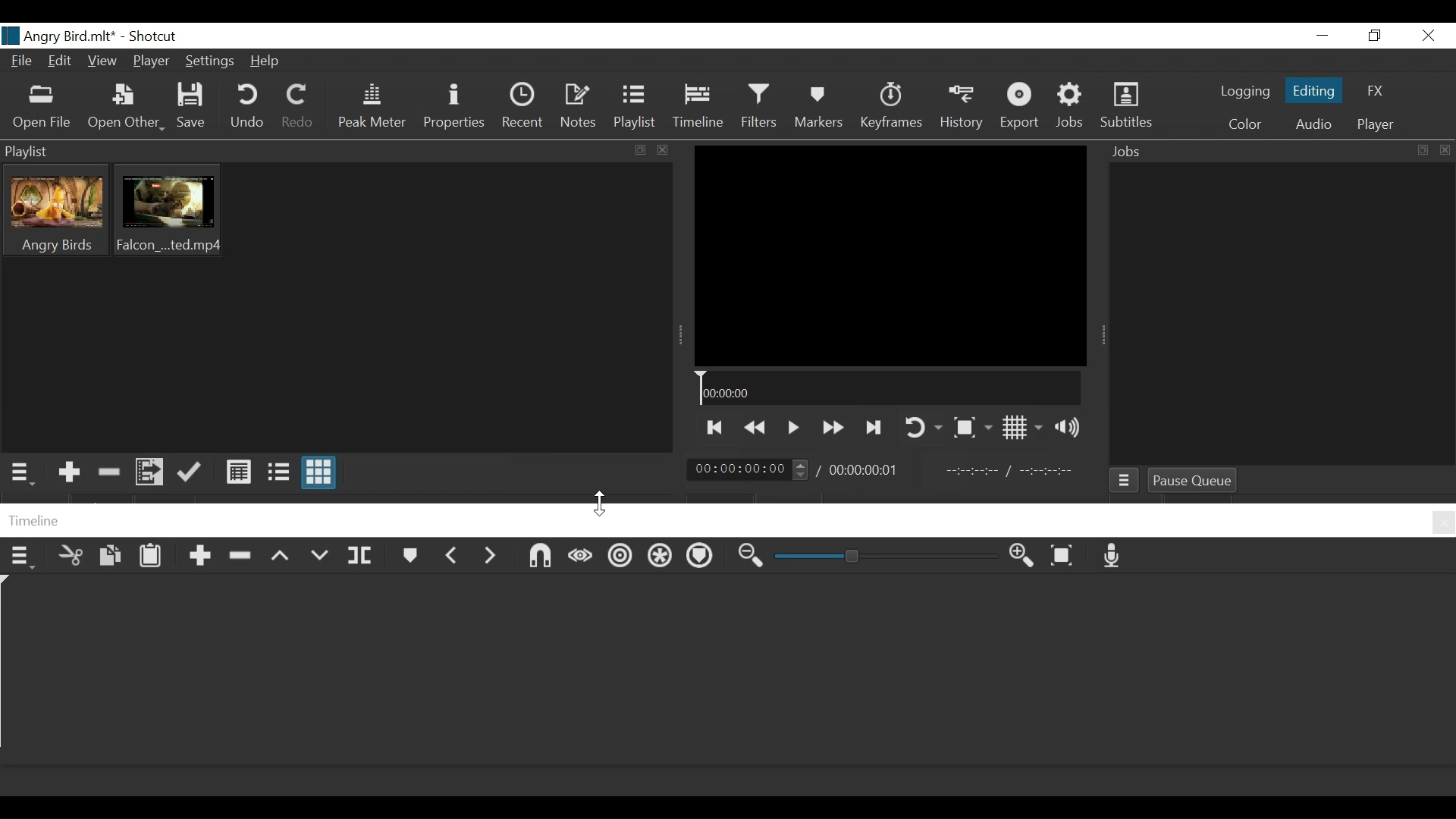 The height and width of the screenshot is (819, 1456). Describe the element at coordinates (1373, 36) in the screenshot. I see `Restore` at that location.